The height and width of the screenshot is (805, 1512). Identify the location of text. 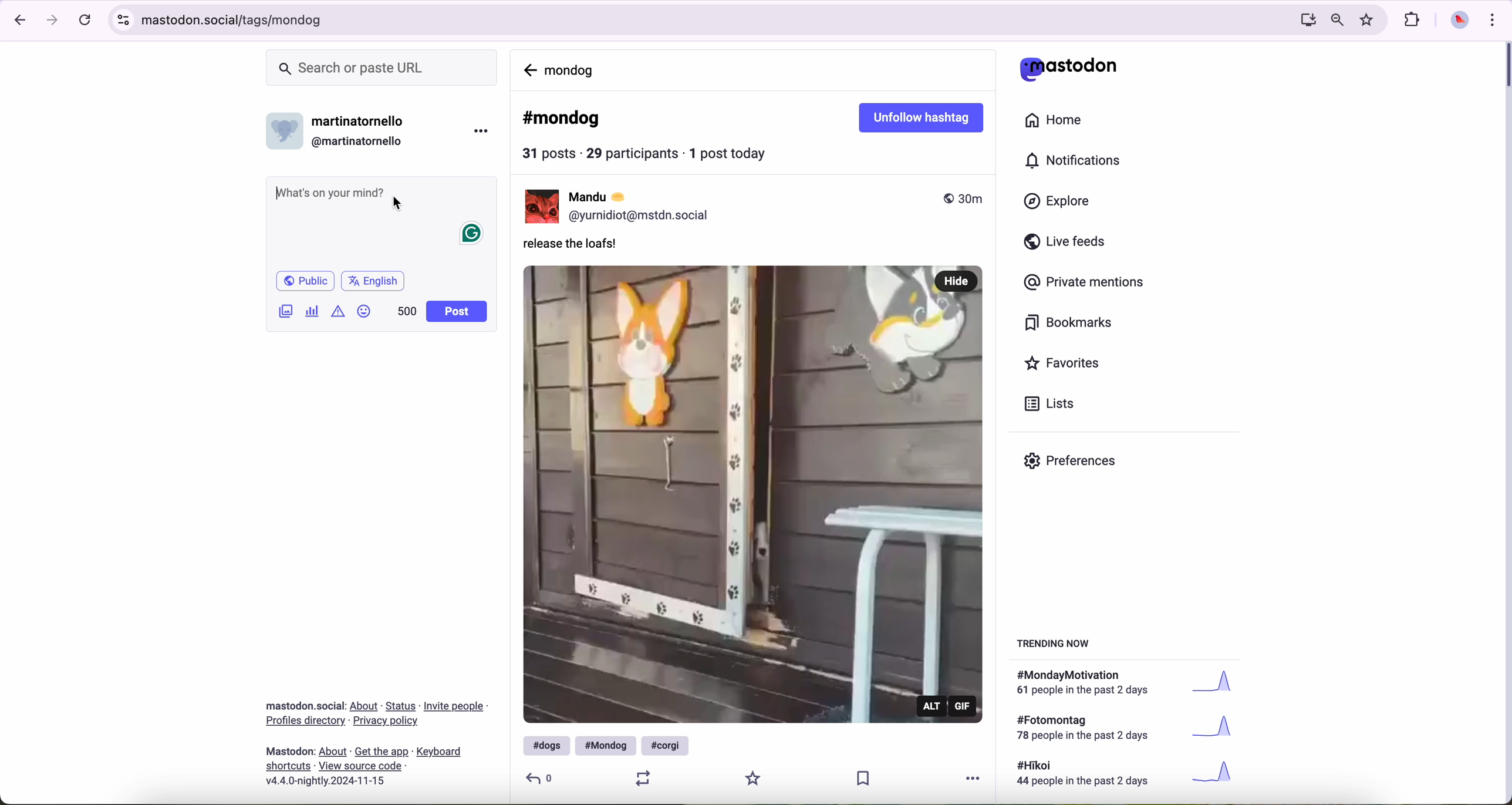
(1089, 775).